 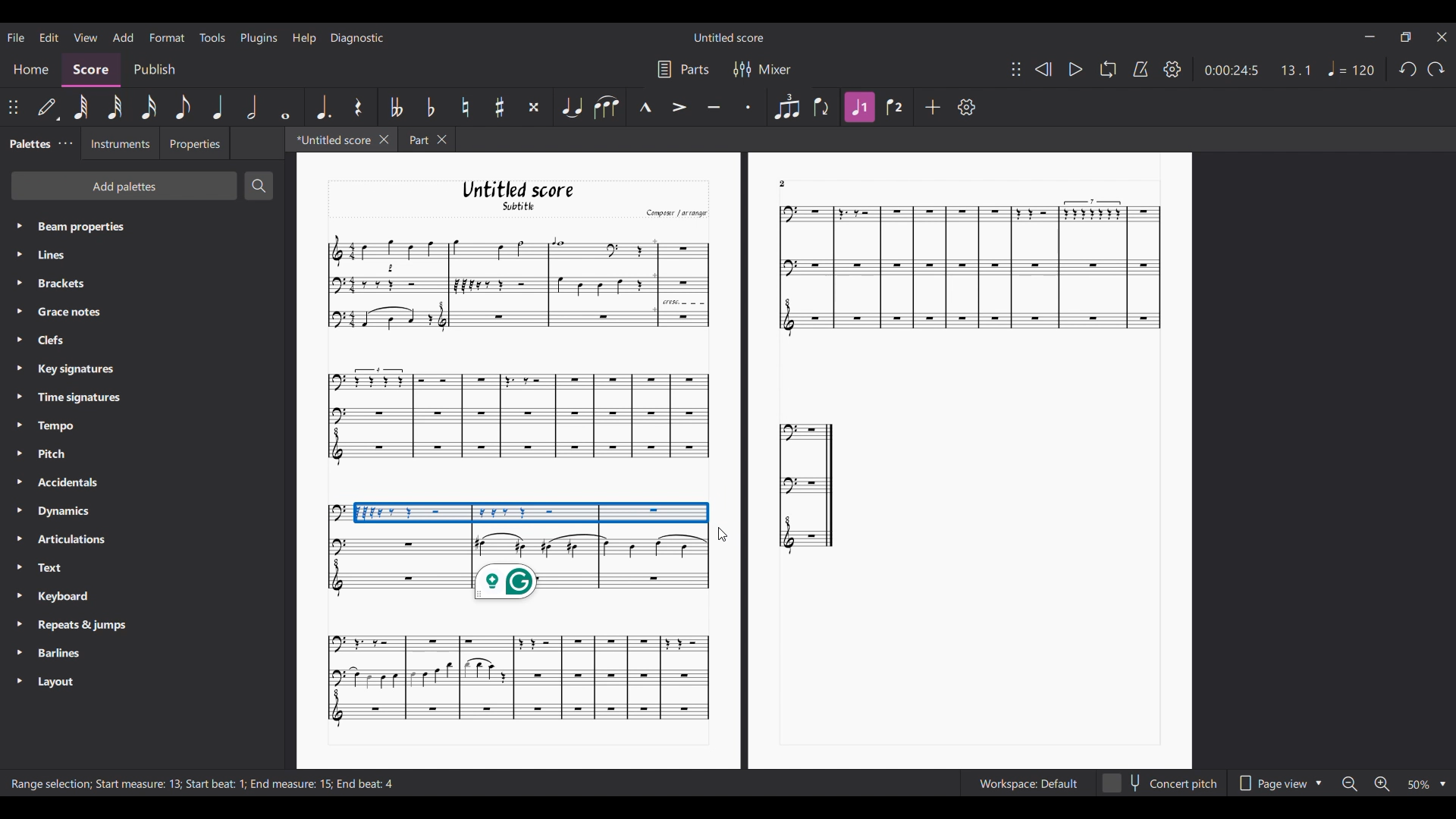 I want to click on Redo, so click(x=1436, y=69).